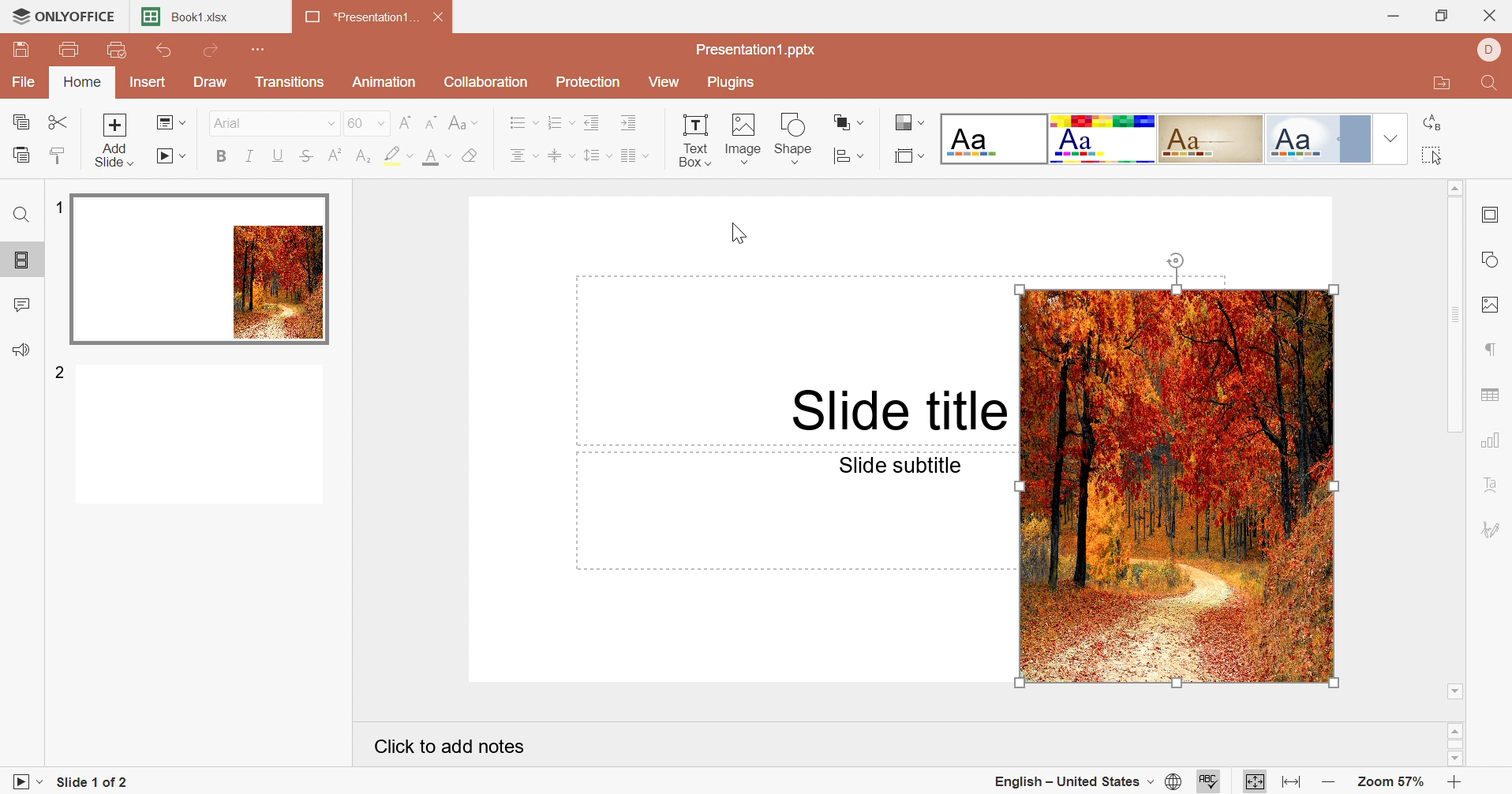  What do you see at coordinates (250, 156) in the screenshot?
I see `Italic` at bounding box center [250, 156].